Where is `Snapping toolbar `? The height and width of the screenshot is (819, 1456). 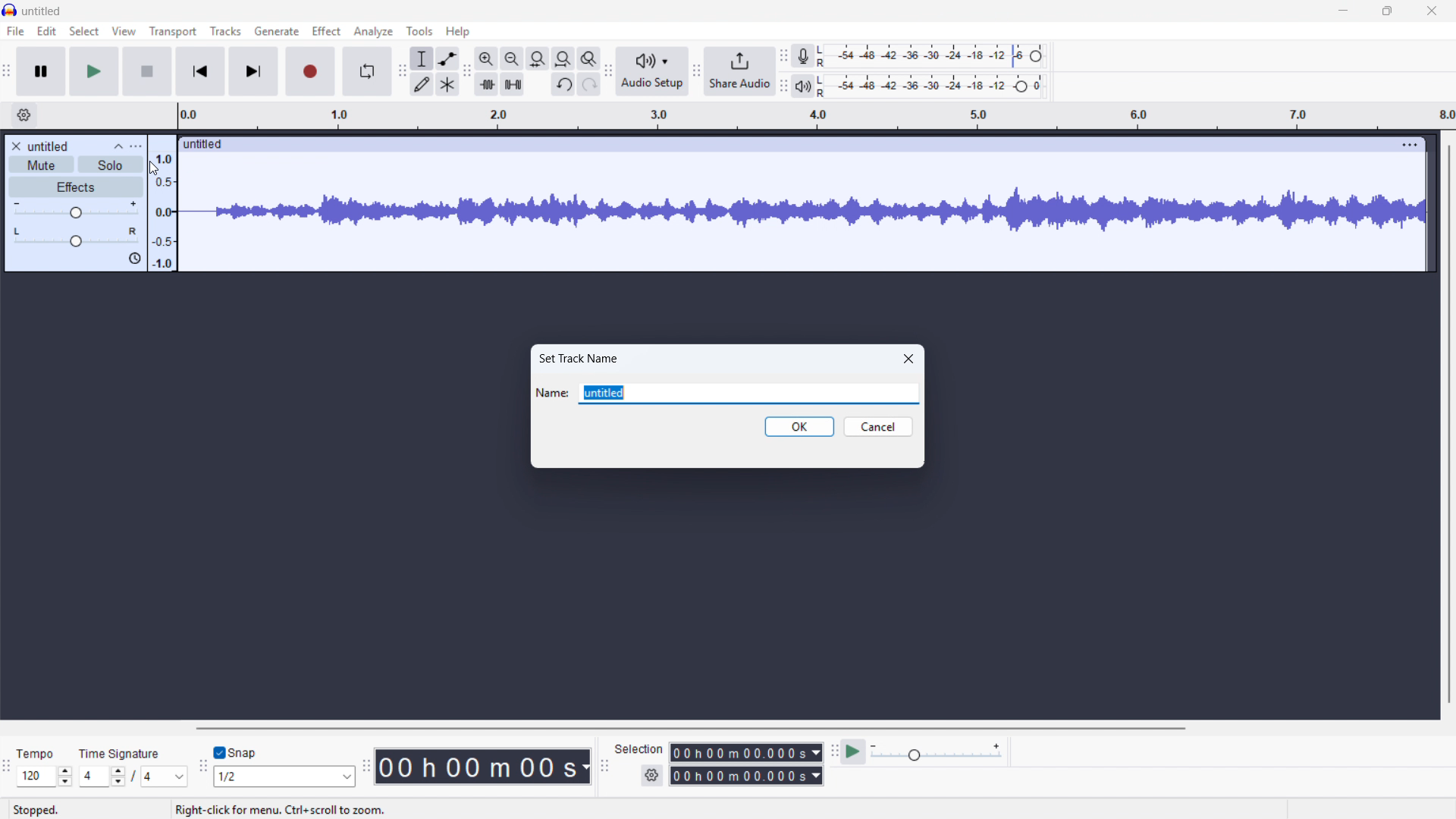 Snapping toolbar  is located at coordinates (202, 767).